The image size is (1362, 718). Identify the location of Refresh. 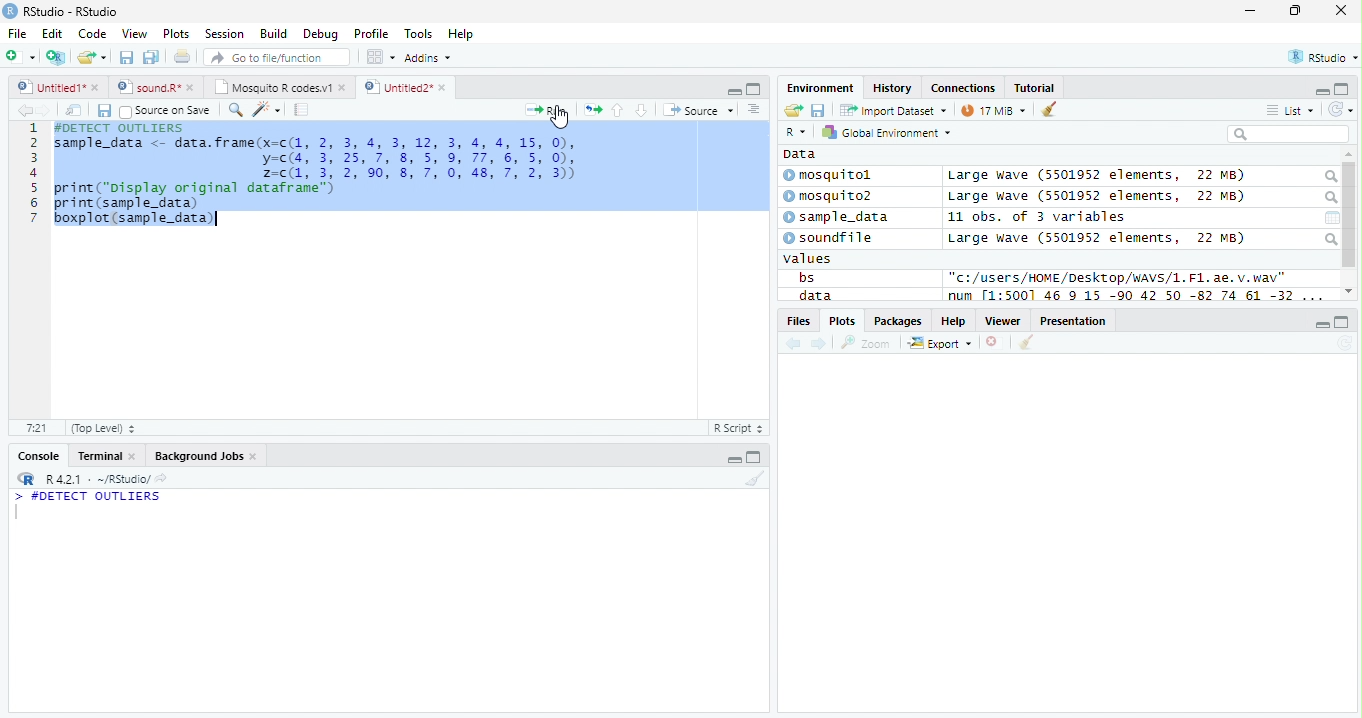
(1341, 110).